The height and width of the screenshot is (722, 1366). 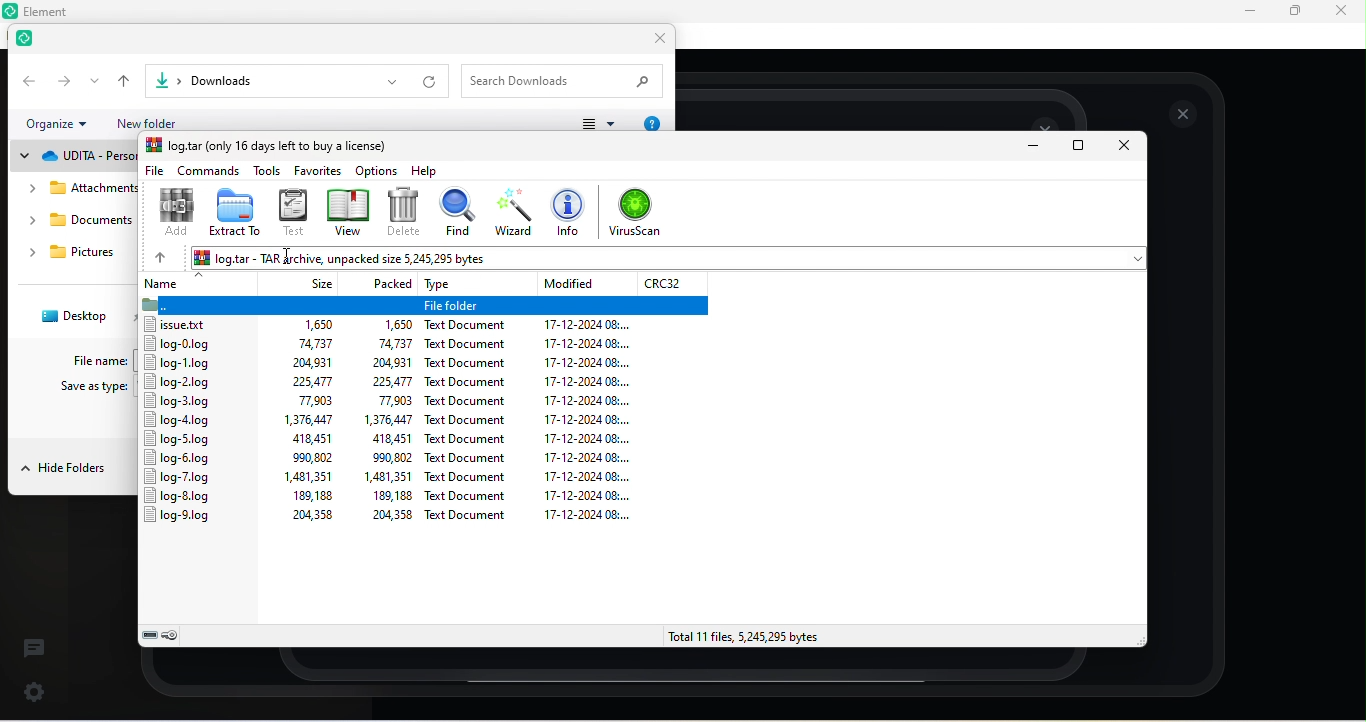 I want to click on issue.txt, so click(x=178, y=324).